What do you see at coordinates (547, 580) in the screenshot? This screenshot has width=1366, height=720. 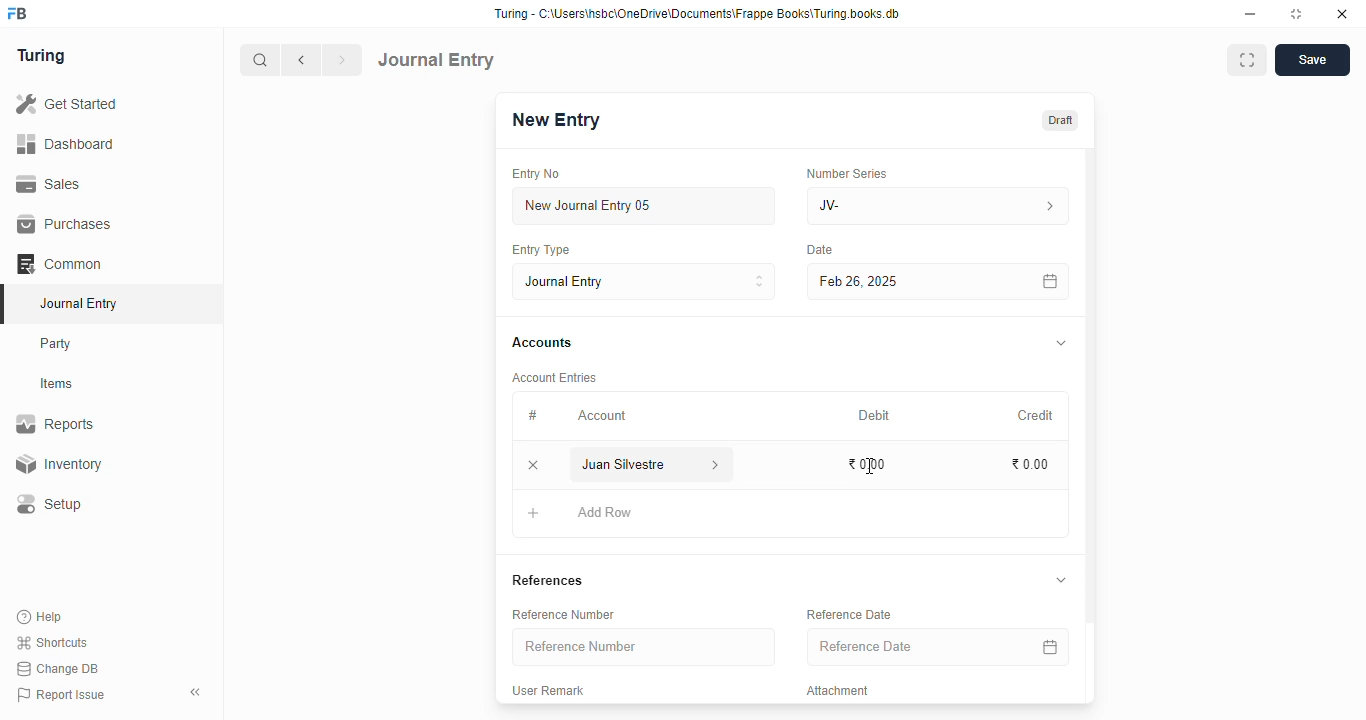 I see `references` at bounding box center [547, 580].